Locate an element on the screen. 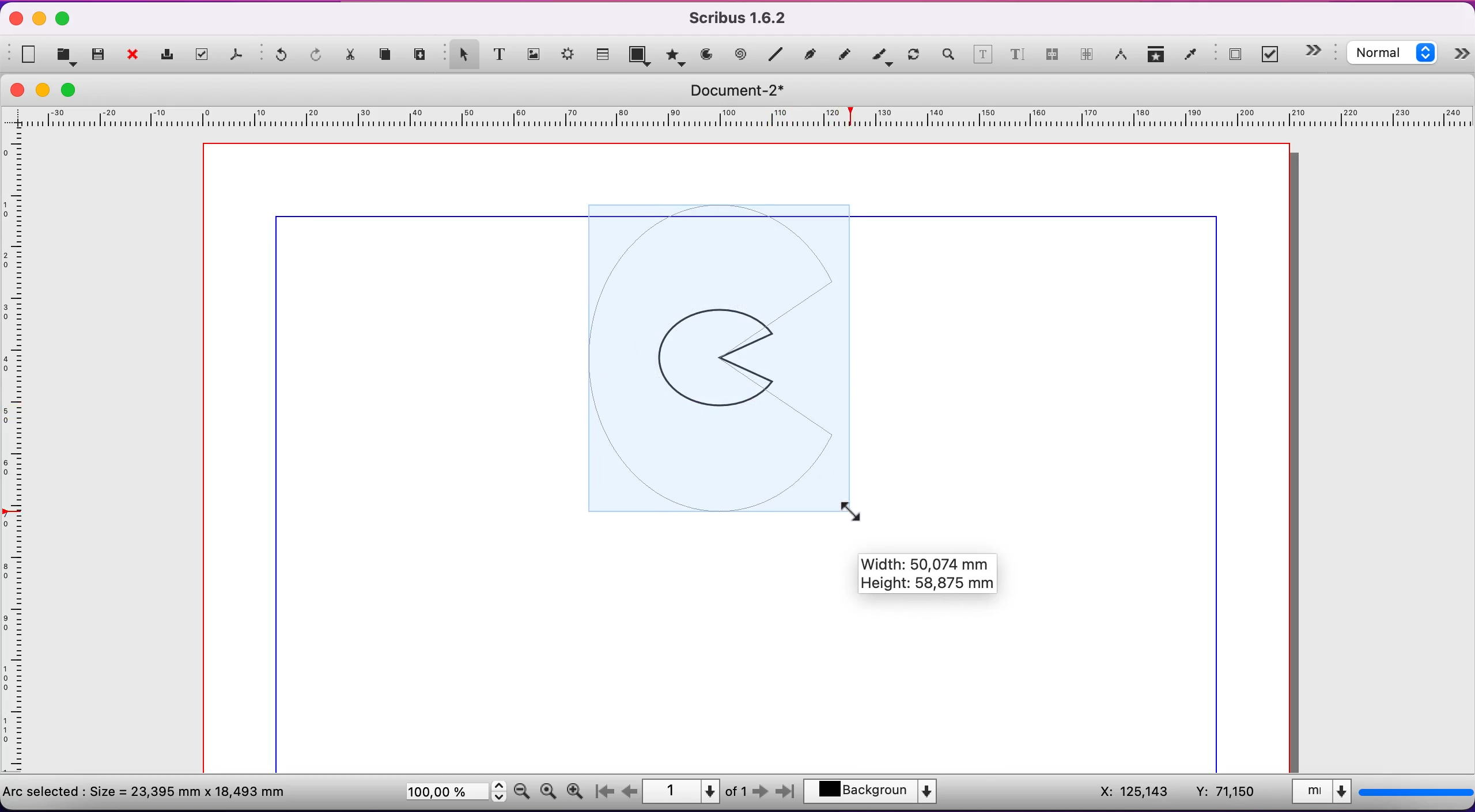 This screenshot has width=1475, height=812. zoom percentage is located at coordinates (453, 794).